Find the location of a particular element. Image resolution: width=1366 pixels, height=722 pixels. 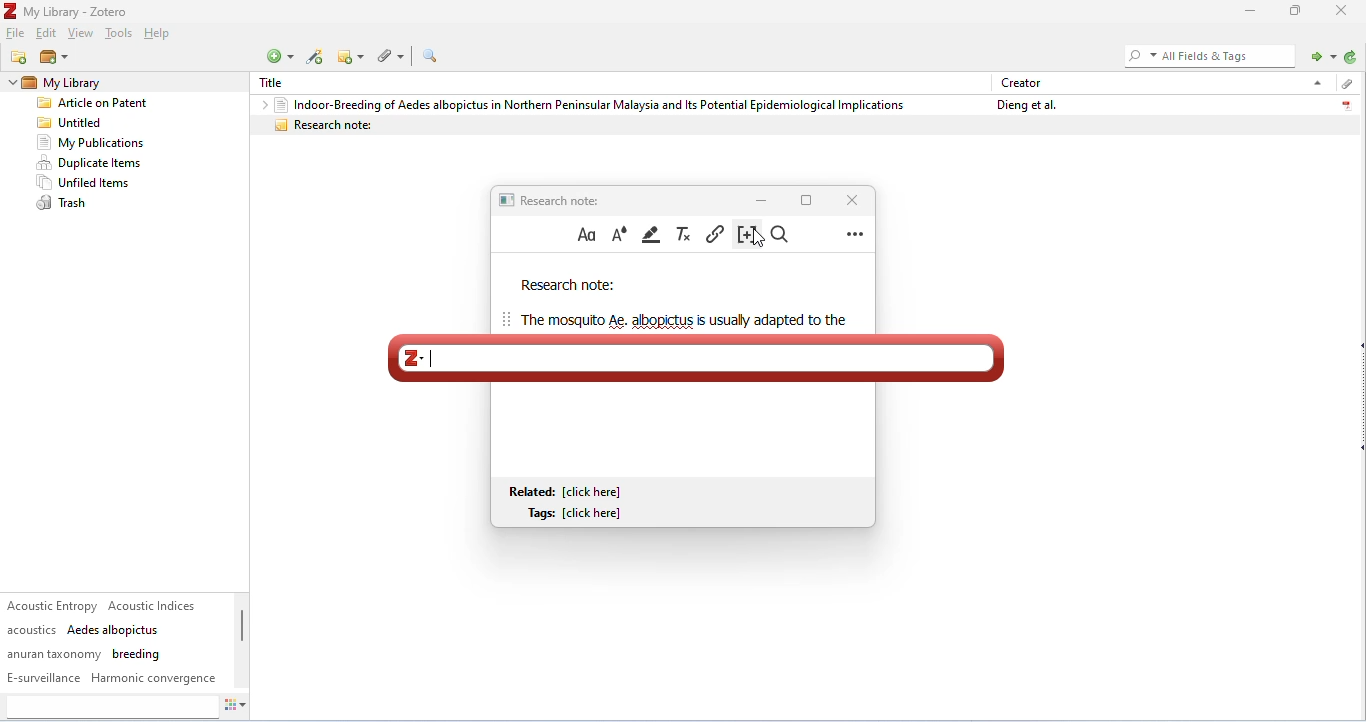

Article on Patent is located at coordinates (99, 104).